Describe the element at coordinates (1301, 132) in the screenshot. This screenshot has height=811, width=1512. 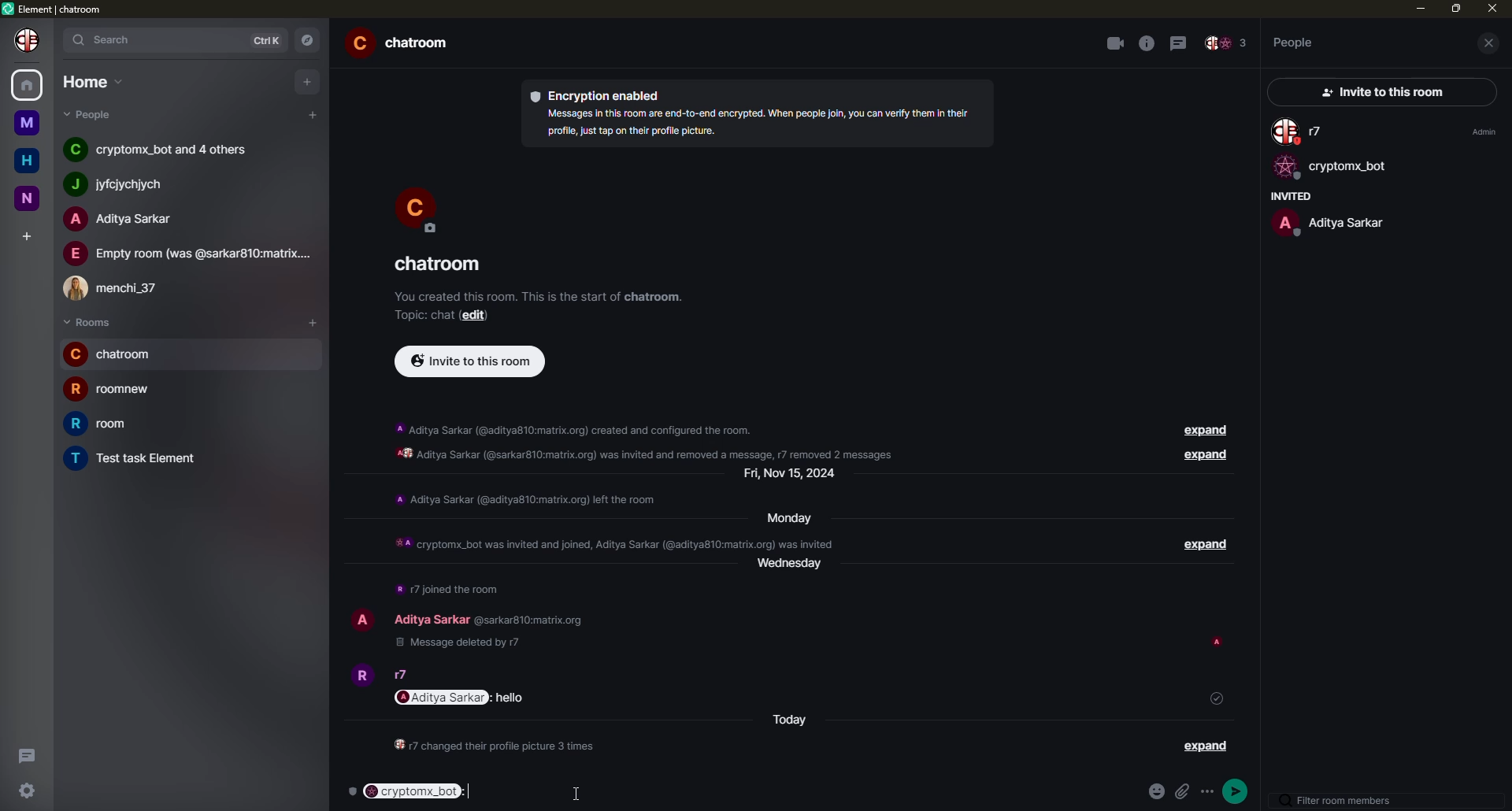
I see `people` at that location.